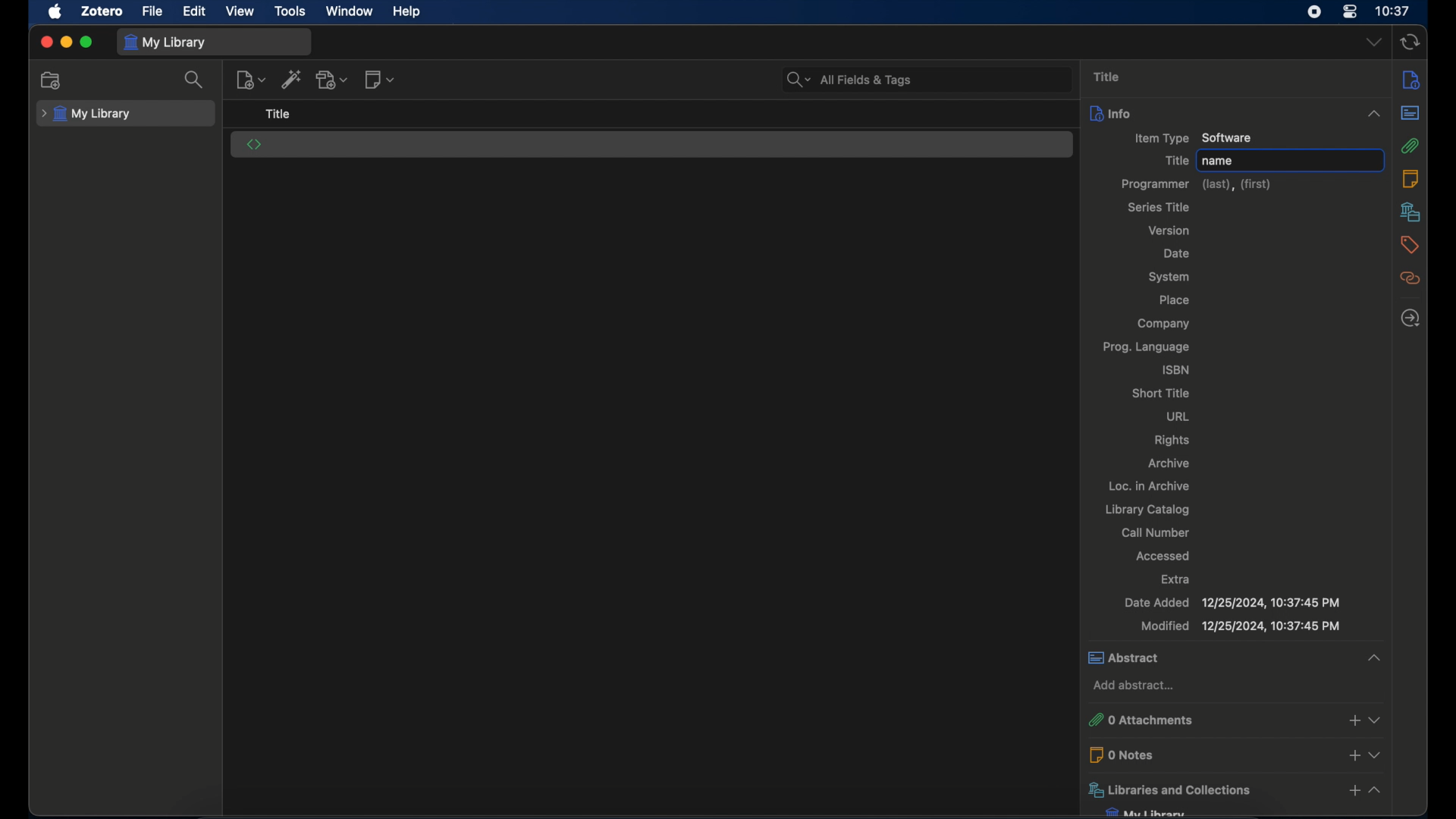  I want to click on attachments, so click(1411, 146).